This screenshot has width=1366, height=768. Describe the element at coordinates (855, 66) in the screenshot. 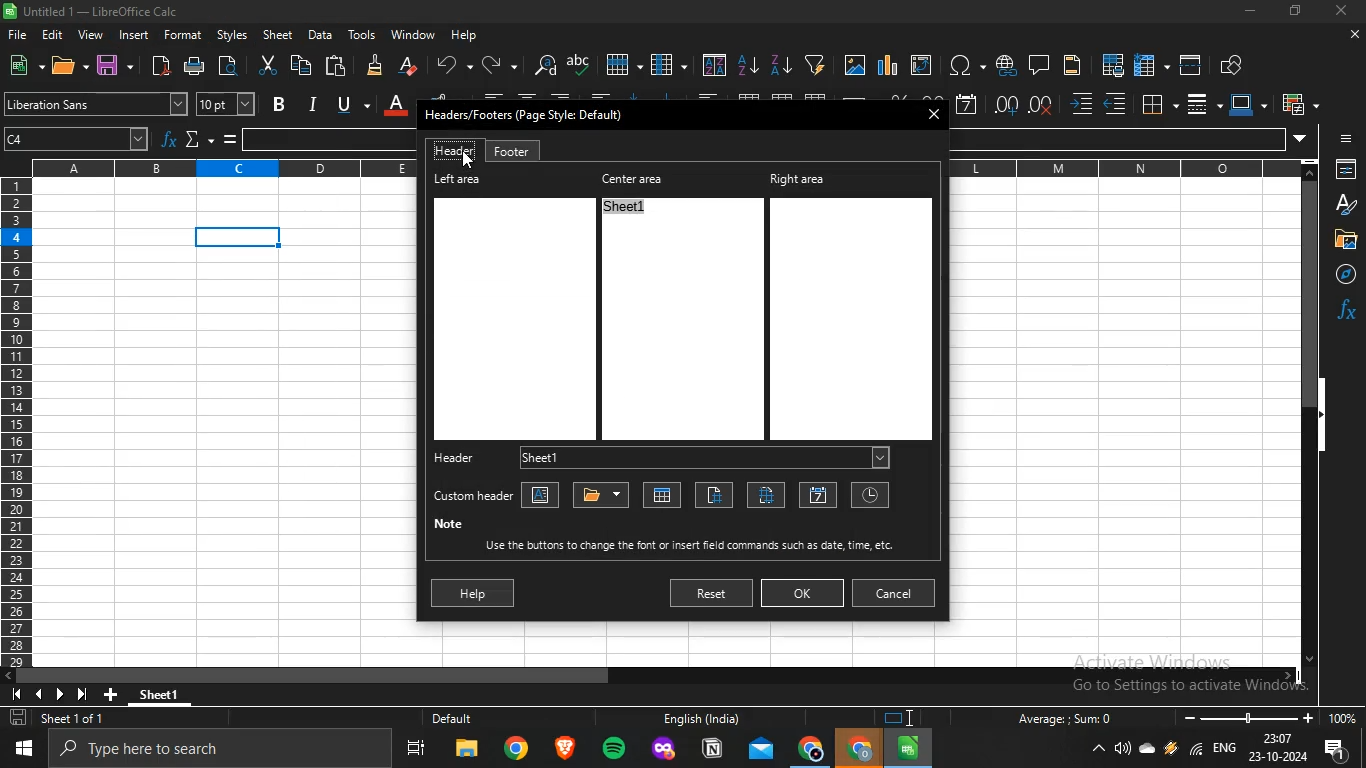

I see `insert images` at that location.